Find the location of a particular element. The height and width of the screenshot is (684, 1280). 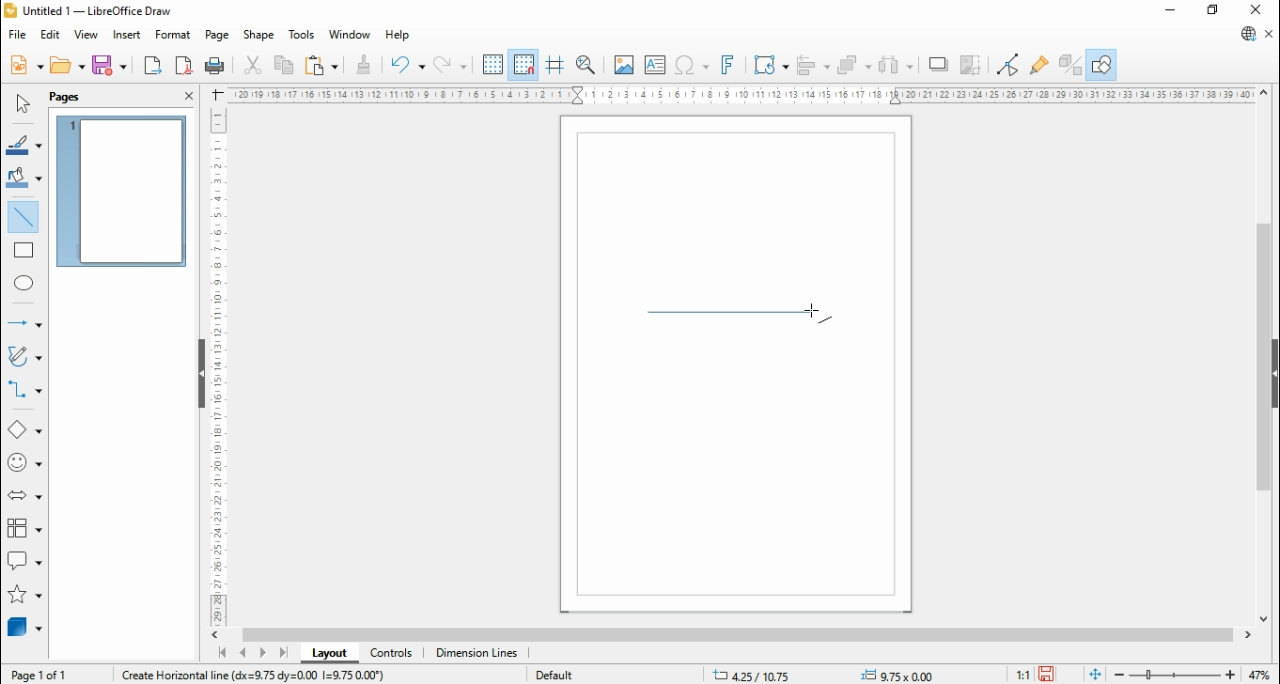

close pane is located at coordinates (188, 96).